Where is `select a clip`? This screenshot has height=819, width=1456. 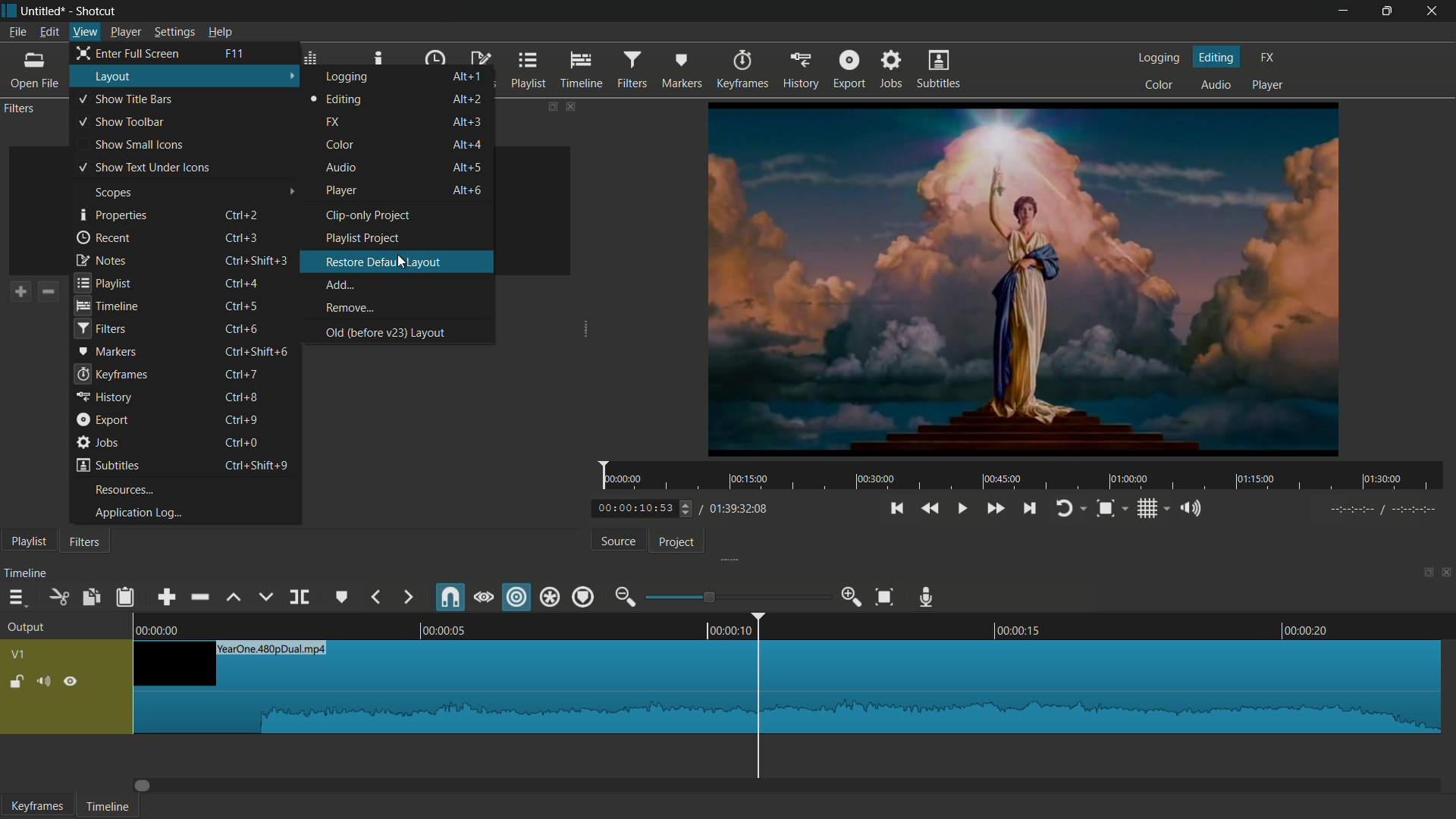 select a clip is located at coordinates (290, 212).